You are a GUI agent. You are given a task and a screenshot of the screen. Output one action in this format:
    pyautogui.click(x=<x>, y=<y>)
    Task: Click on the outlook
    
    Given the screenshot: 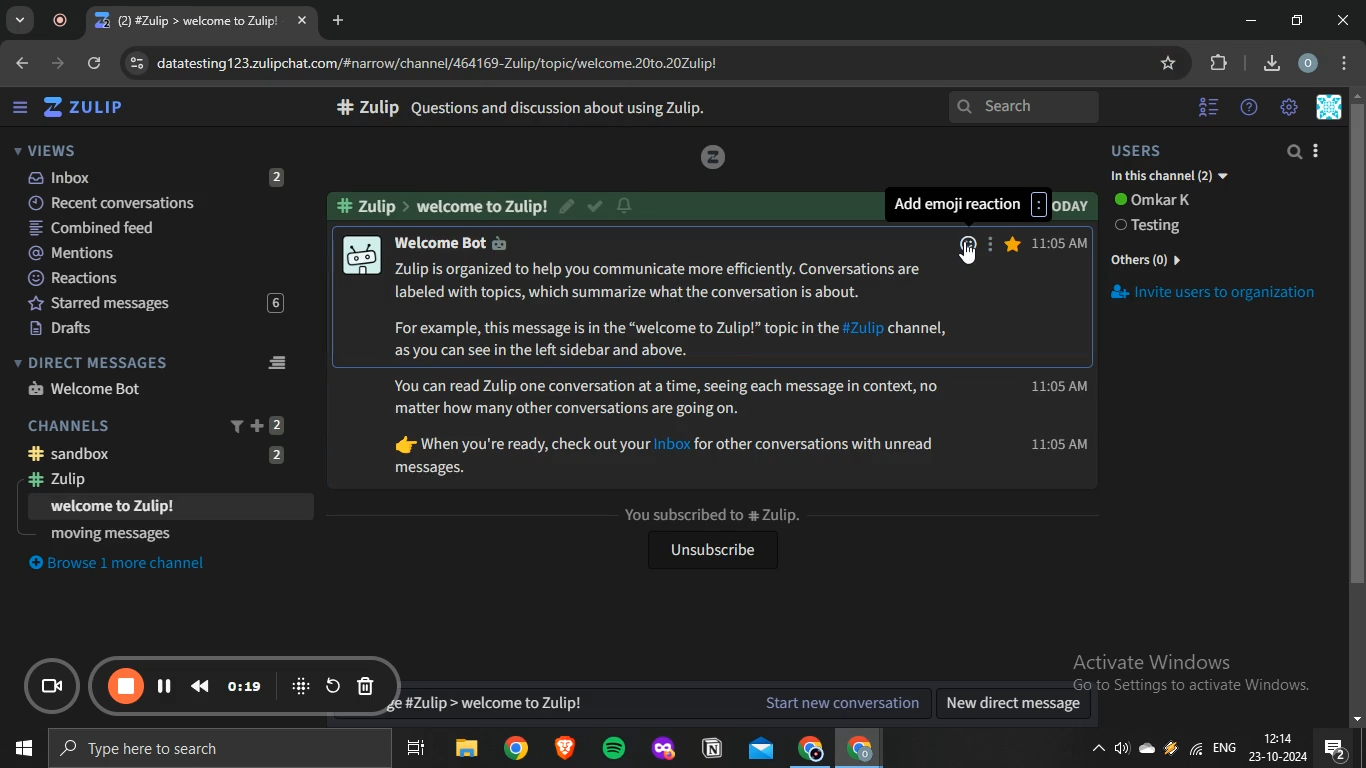 What is the action you would take?
    pyautogui.click(x=762, y=748)
    